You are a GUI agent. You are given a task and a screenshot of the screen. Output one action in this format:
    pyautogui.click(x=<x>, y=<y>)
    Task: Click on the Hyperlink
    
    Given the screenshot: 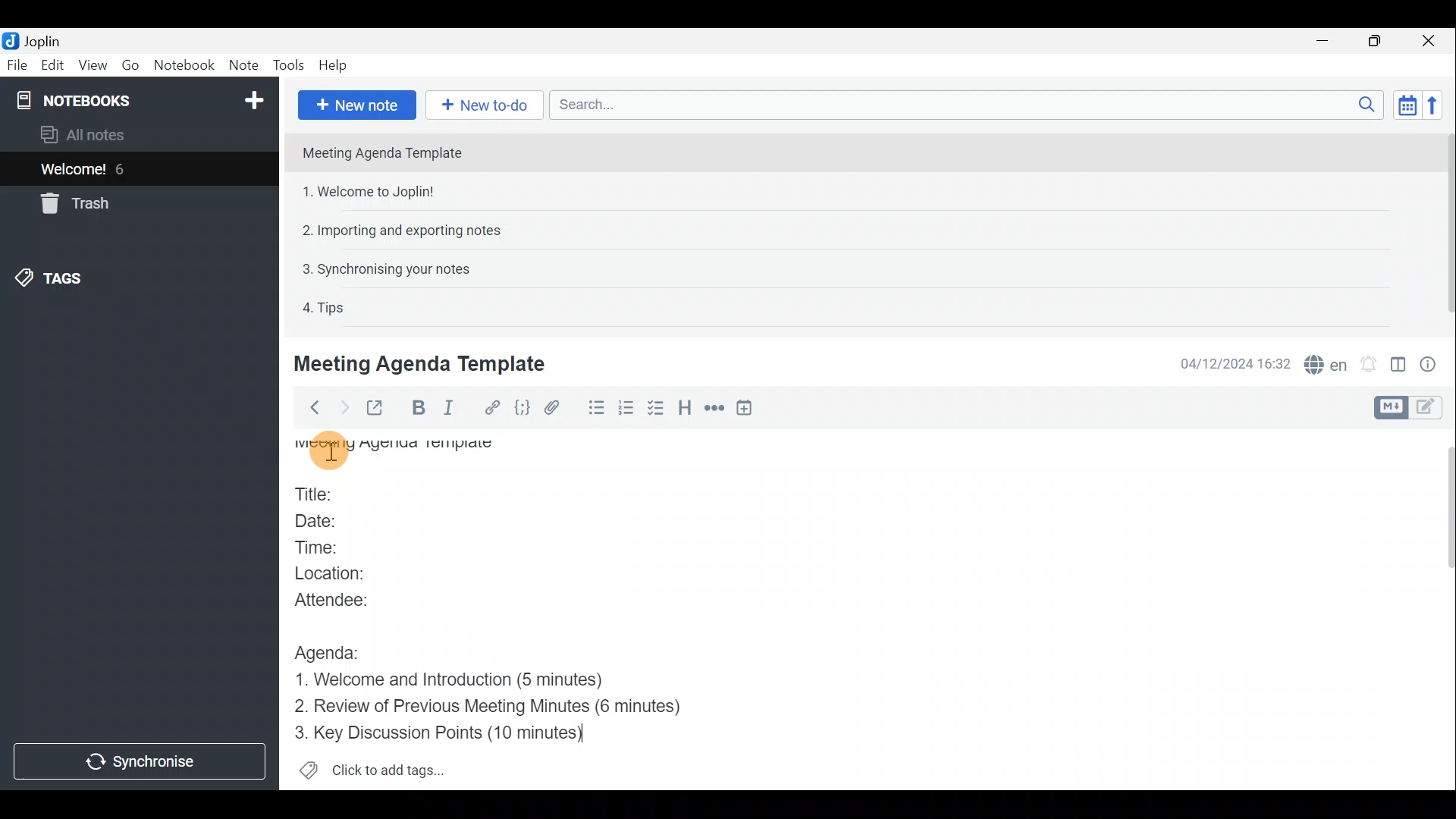 What is the action you would take?
    pyautogui.click(x=494, y=407)
    